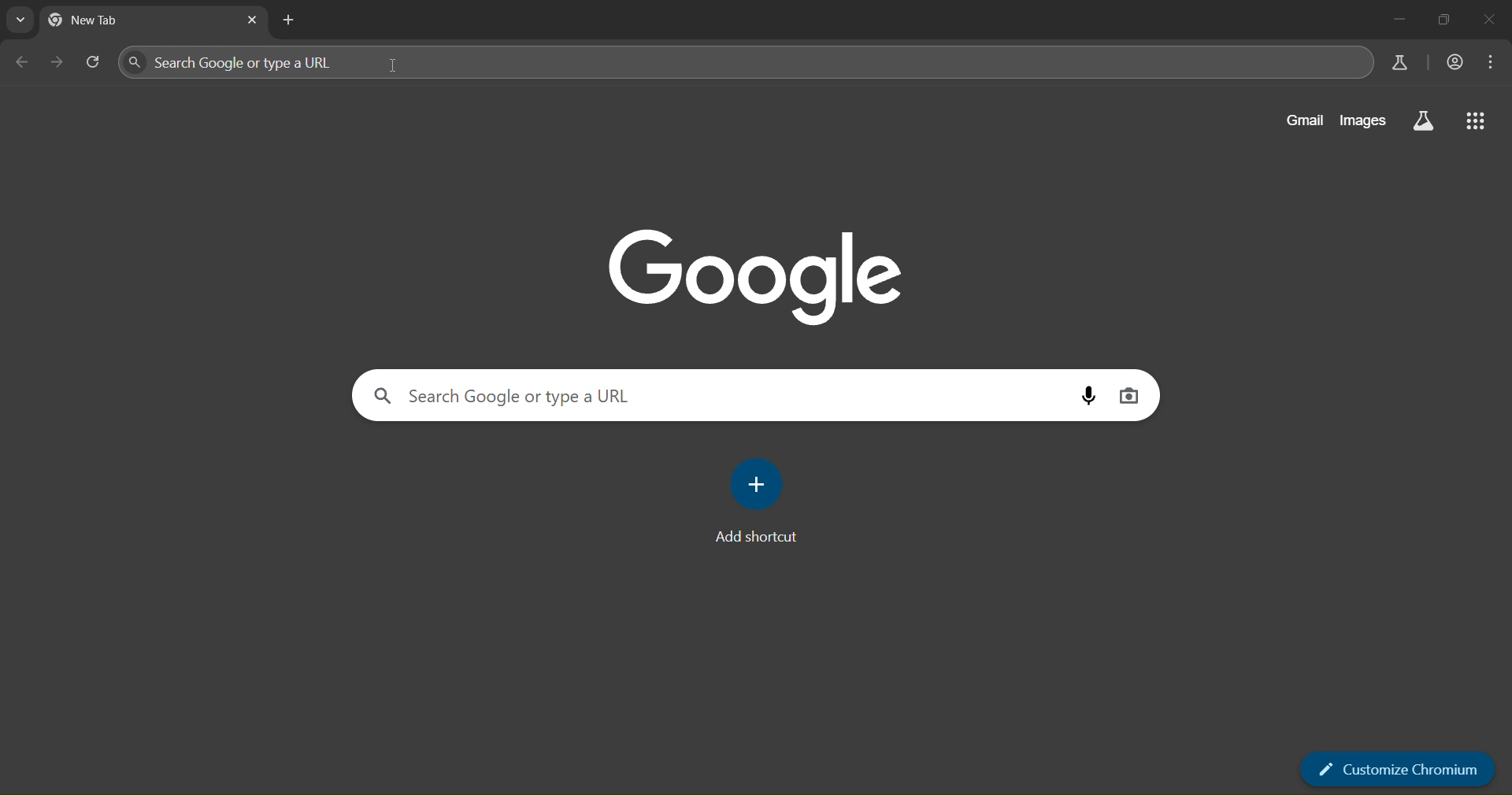 This screenshot has height=795, width=1512. What do you see at coordinates (1398, 770) in the screenshot?
I see `customize chromium` at bounding box center [1398, 770].